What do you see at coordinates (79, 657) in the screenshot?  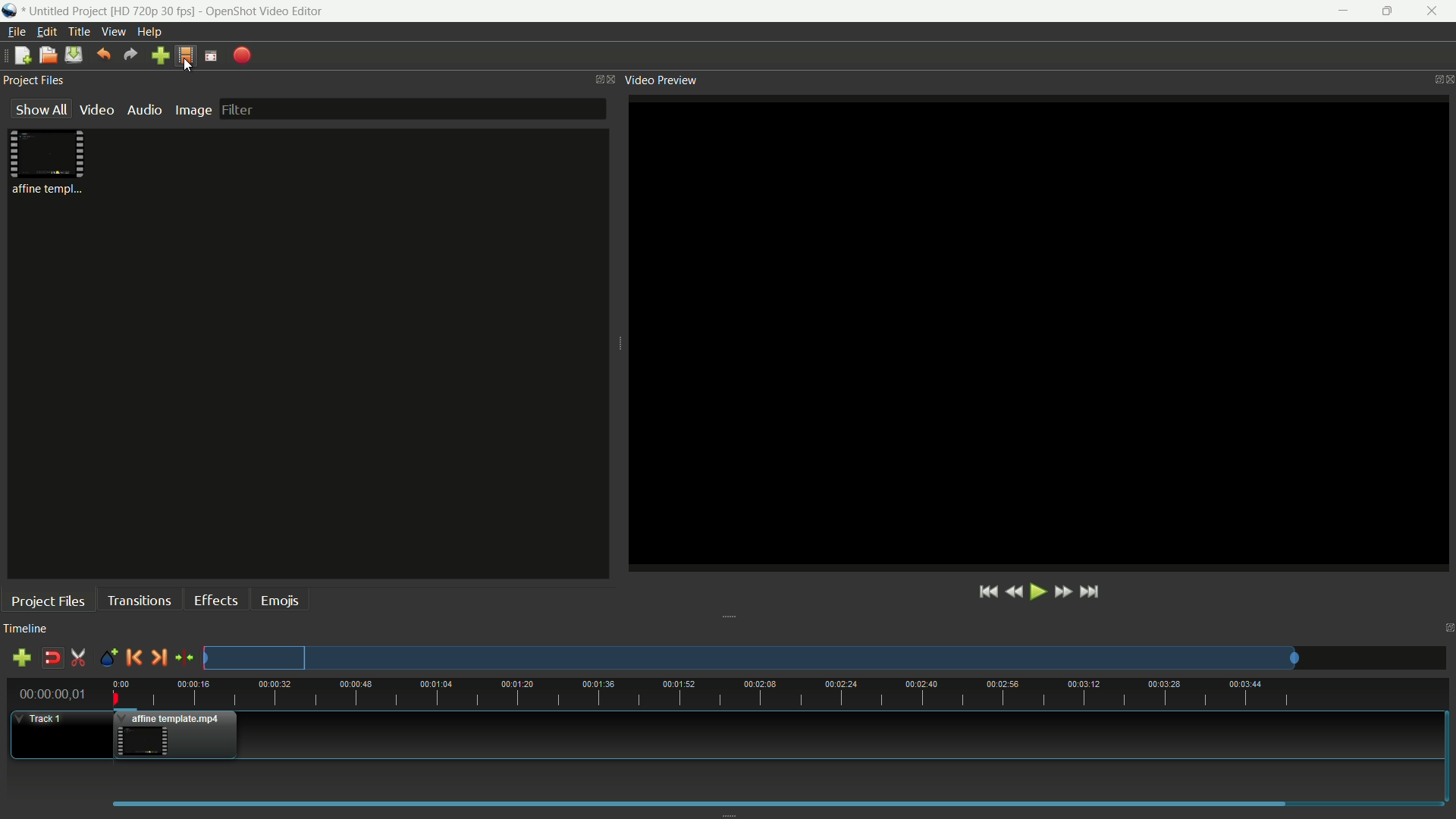 I see `enable razor` at bounding box center [79, 657].